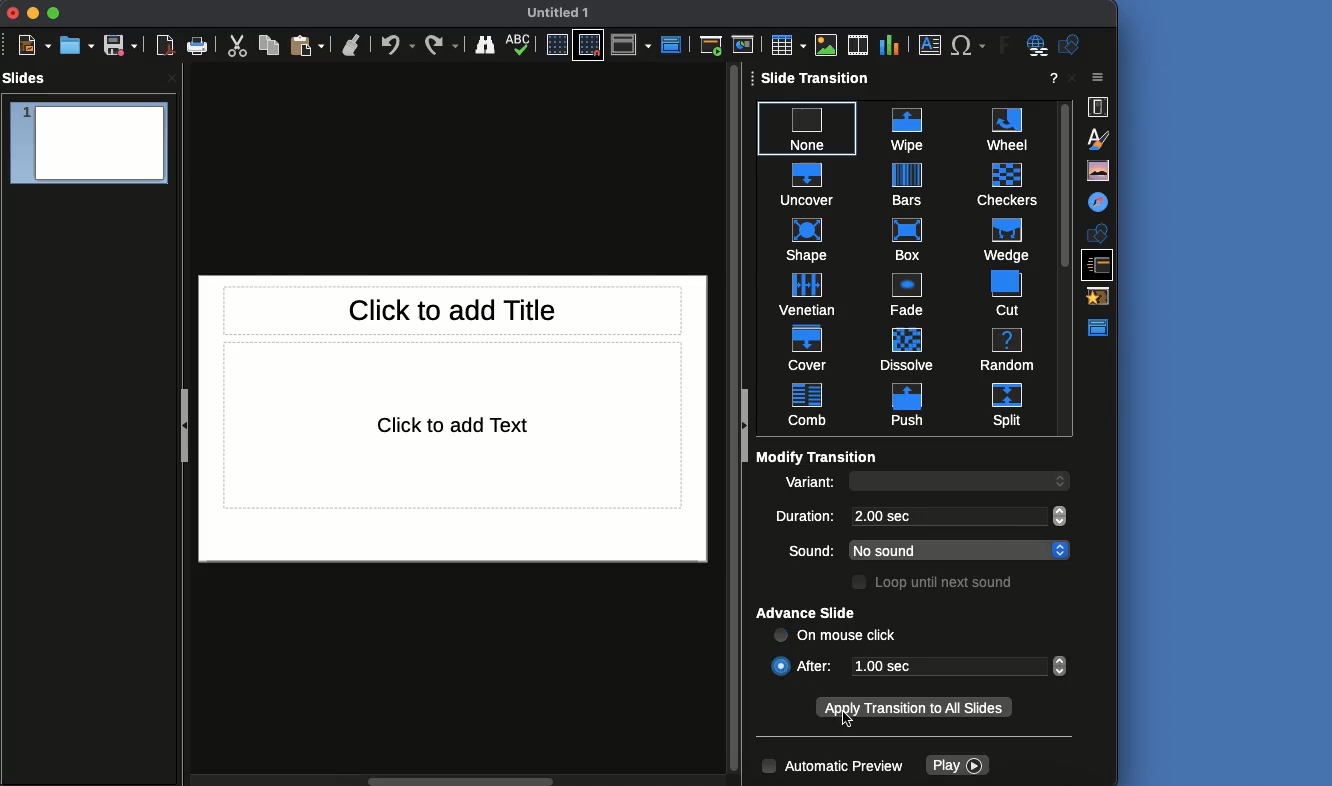  I want to click on No sound, so click(944, 550).